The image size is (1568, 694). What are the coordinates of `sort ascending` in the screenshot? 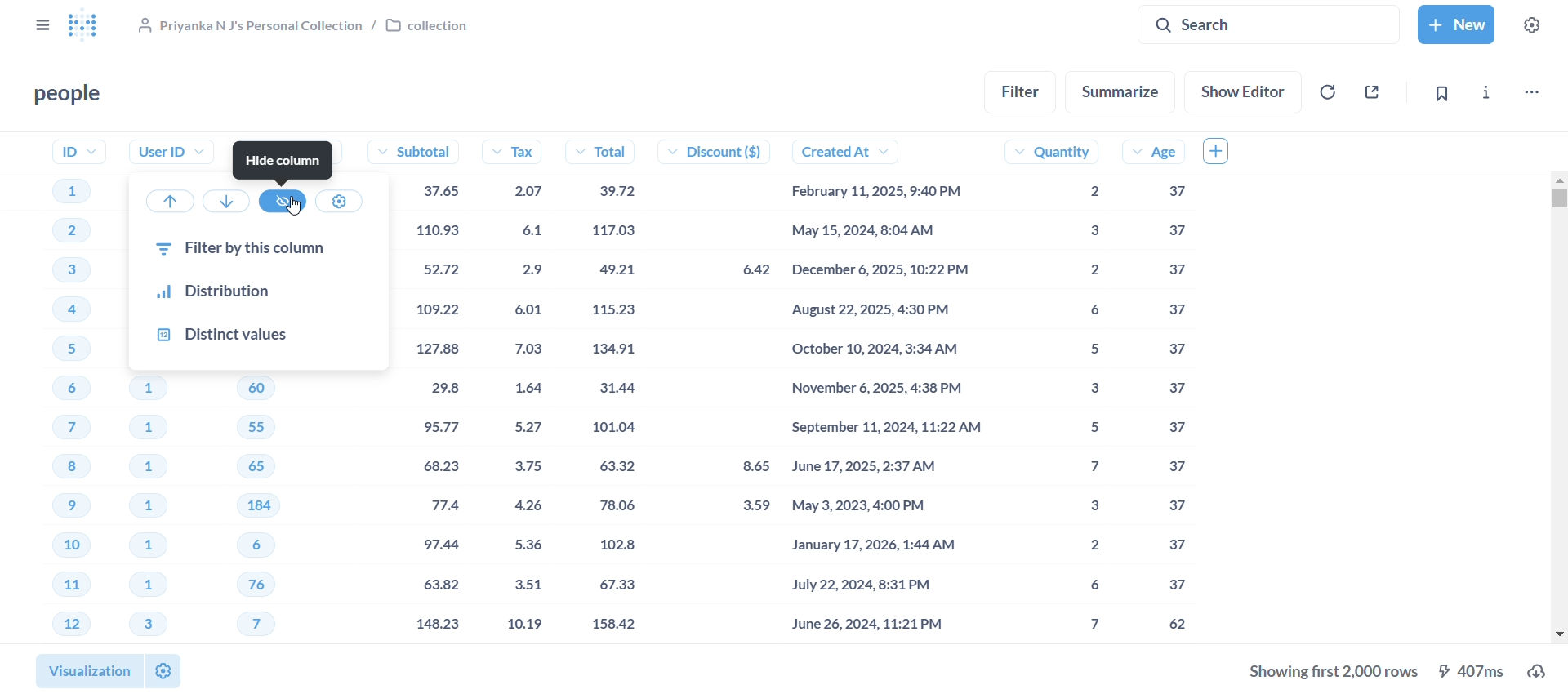 It's located at (170, 201).